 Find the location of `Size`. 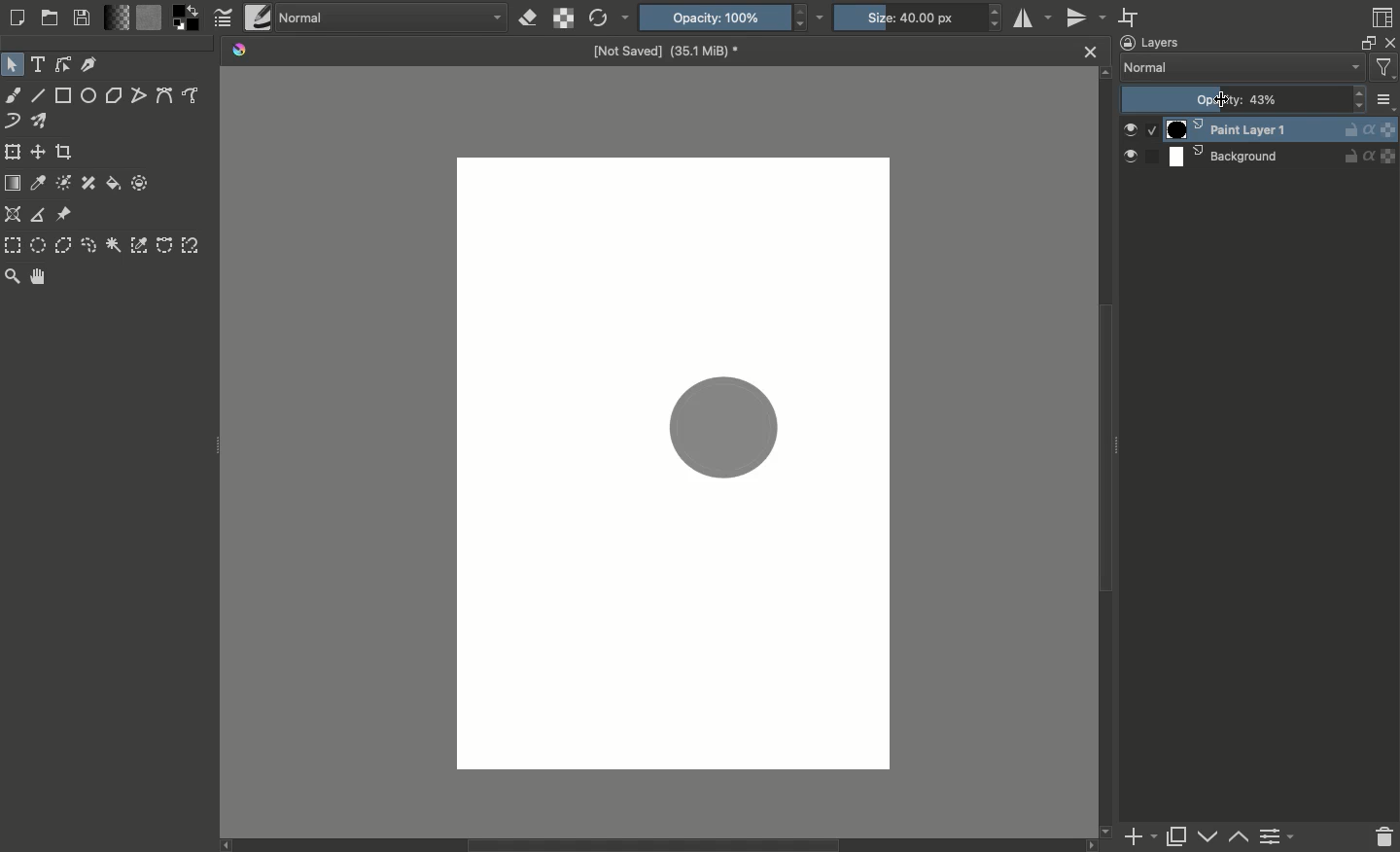

Size is located at coordinates (921, 18).